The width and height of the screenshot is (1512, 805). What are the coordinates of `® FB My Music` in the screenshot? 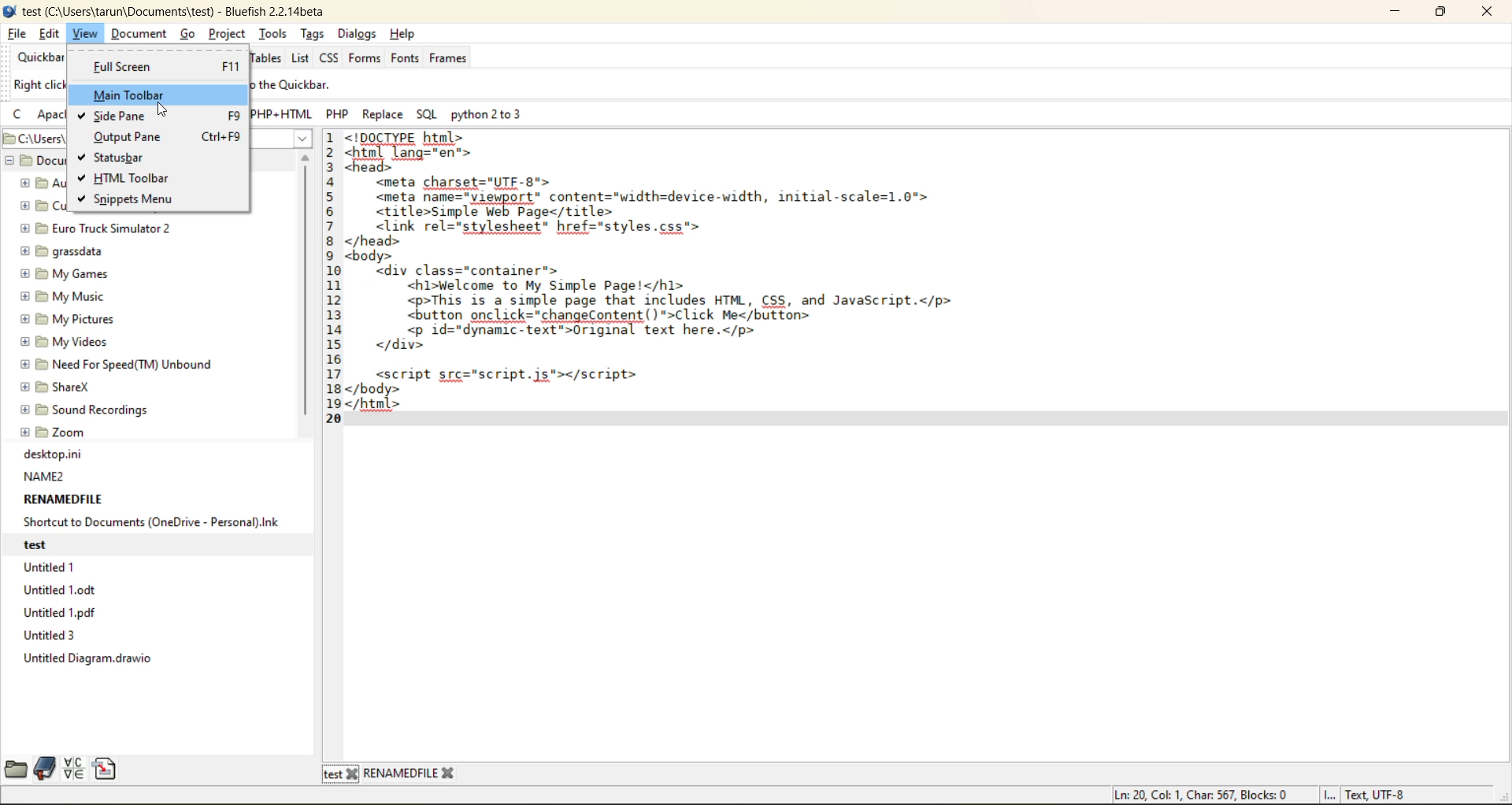 It's located at (62, 297).